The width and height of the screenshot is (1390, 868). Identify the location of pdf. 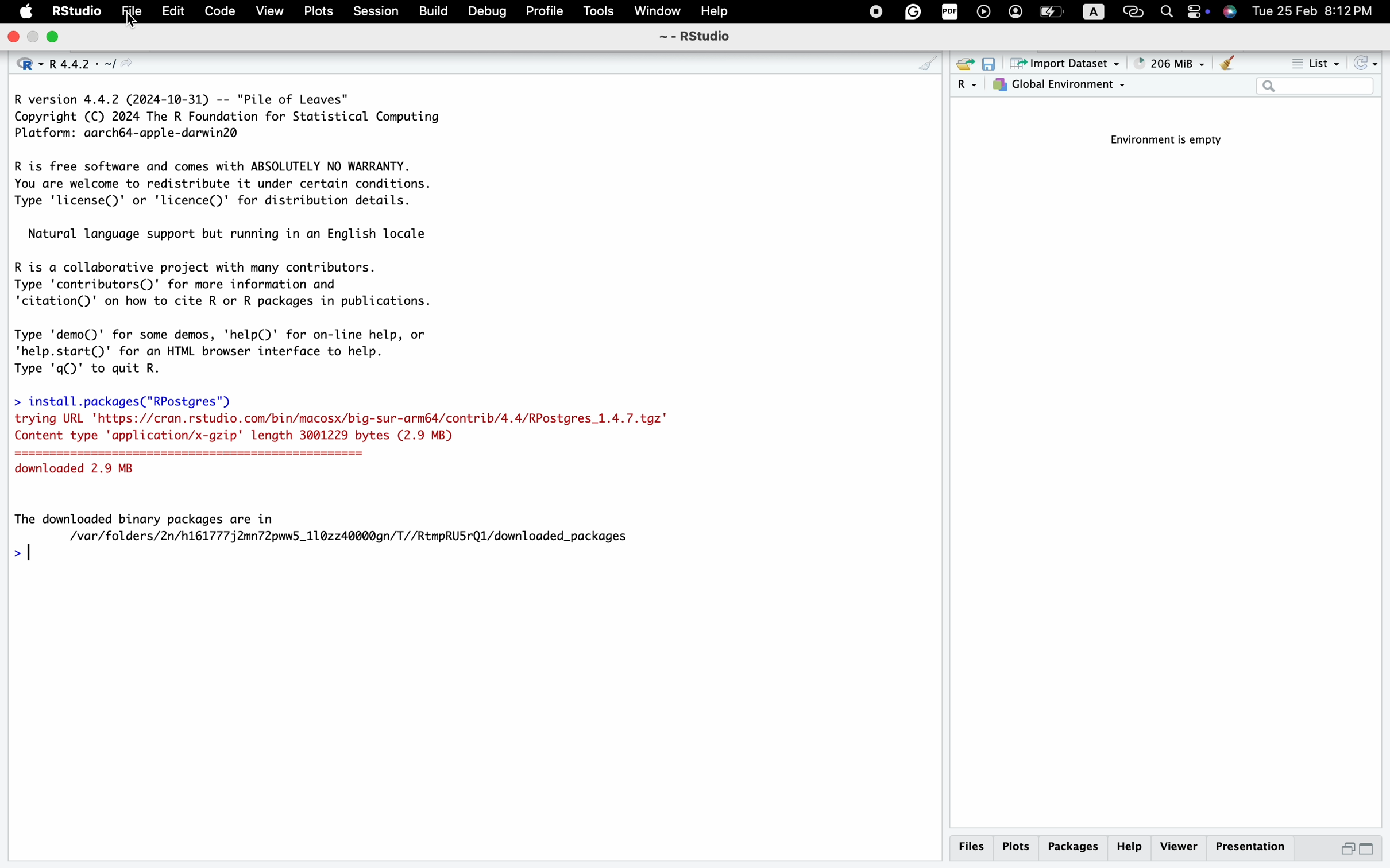
(947, 13).